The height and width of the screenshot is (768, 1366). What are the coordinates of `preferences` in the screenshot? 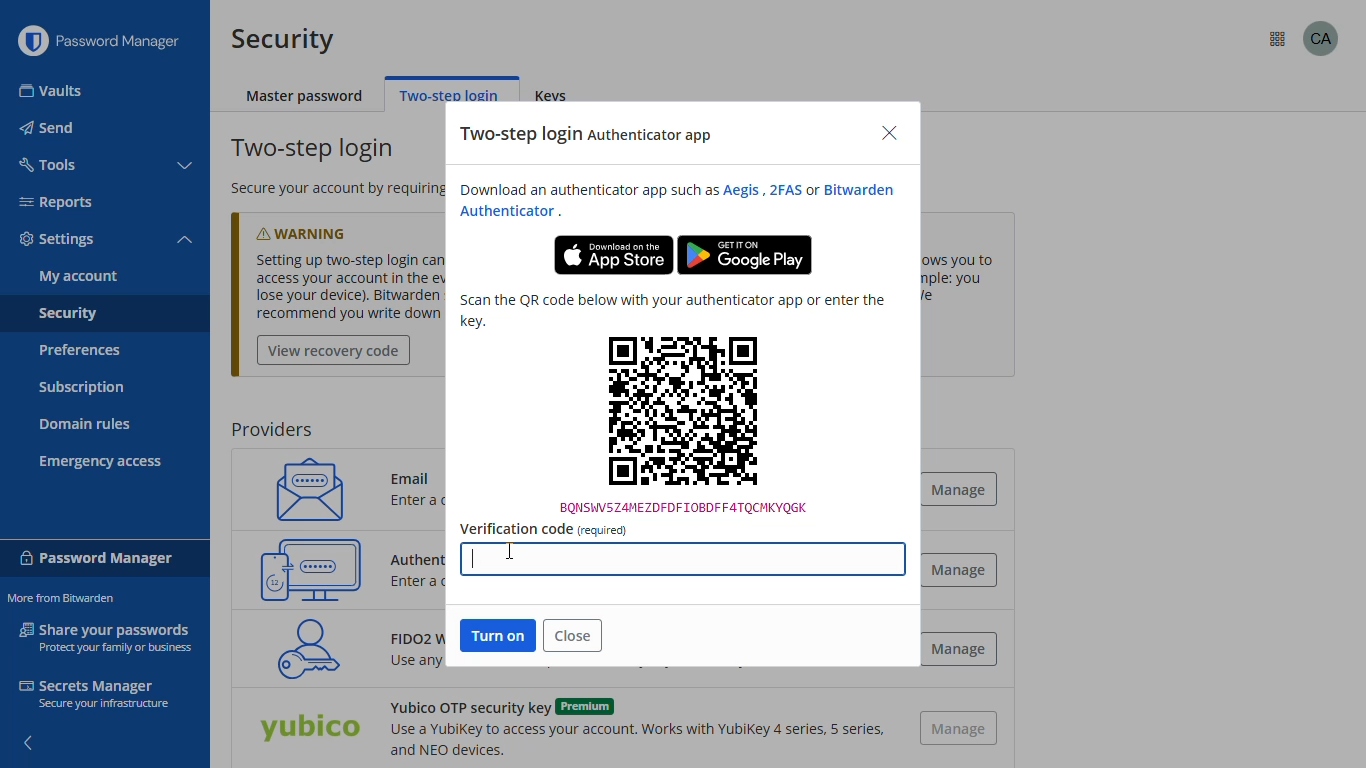 It's located at (78, 350).